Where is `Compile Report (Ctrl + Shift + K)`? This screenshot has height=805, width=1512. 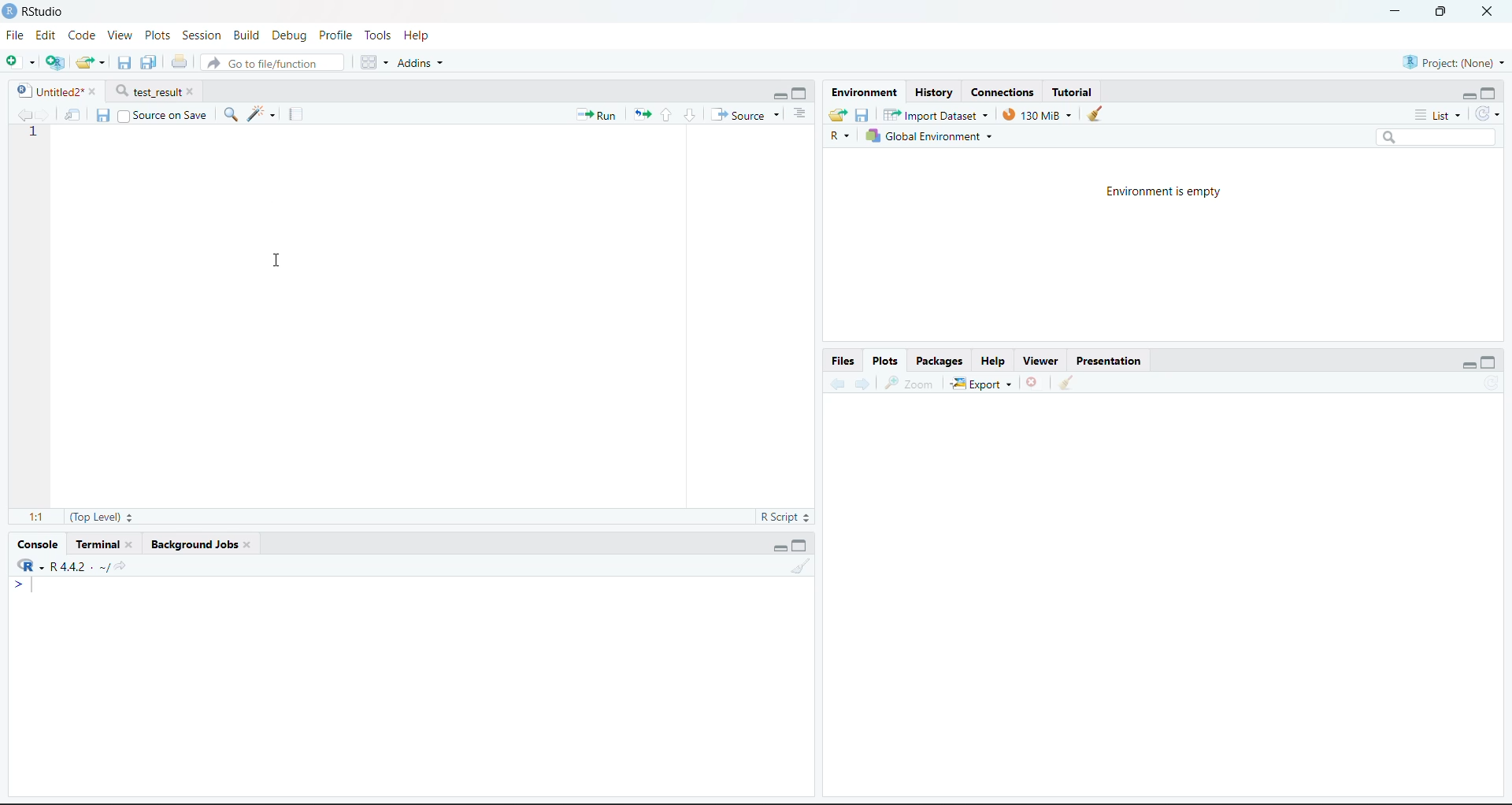 Compile Report (Ctrl + Shift + K) is located at coordinates (298, 113).